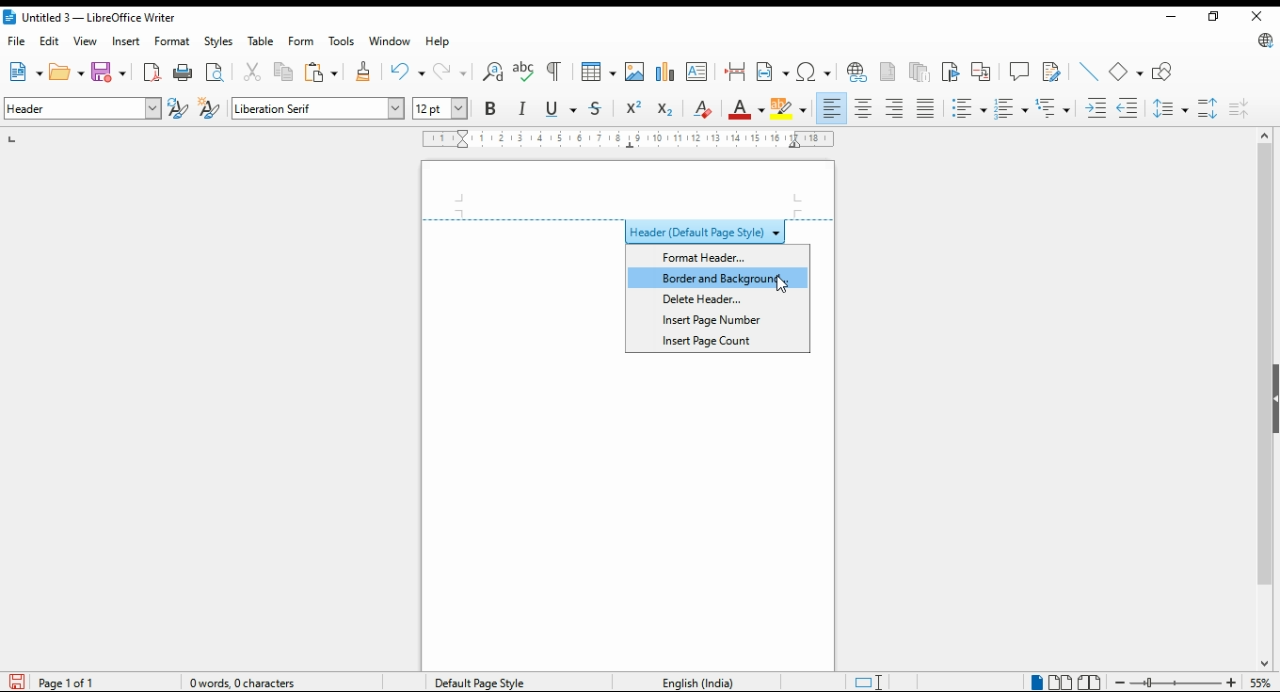 The width and height of the screenshot is (1280, 692). I want to click on insert cross-reference, so click(981, 71).